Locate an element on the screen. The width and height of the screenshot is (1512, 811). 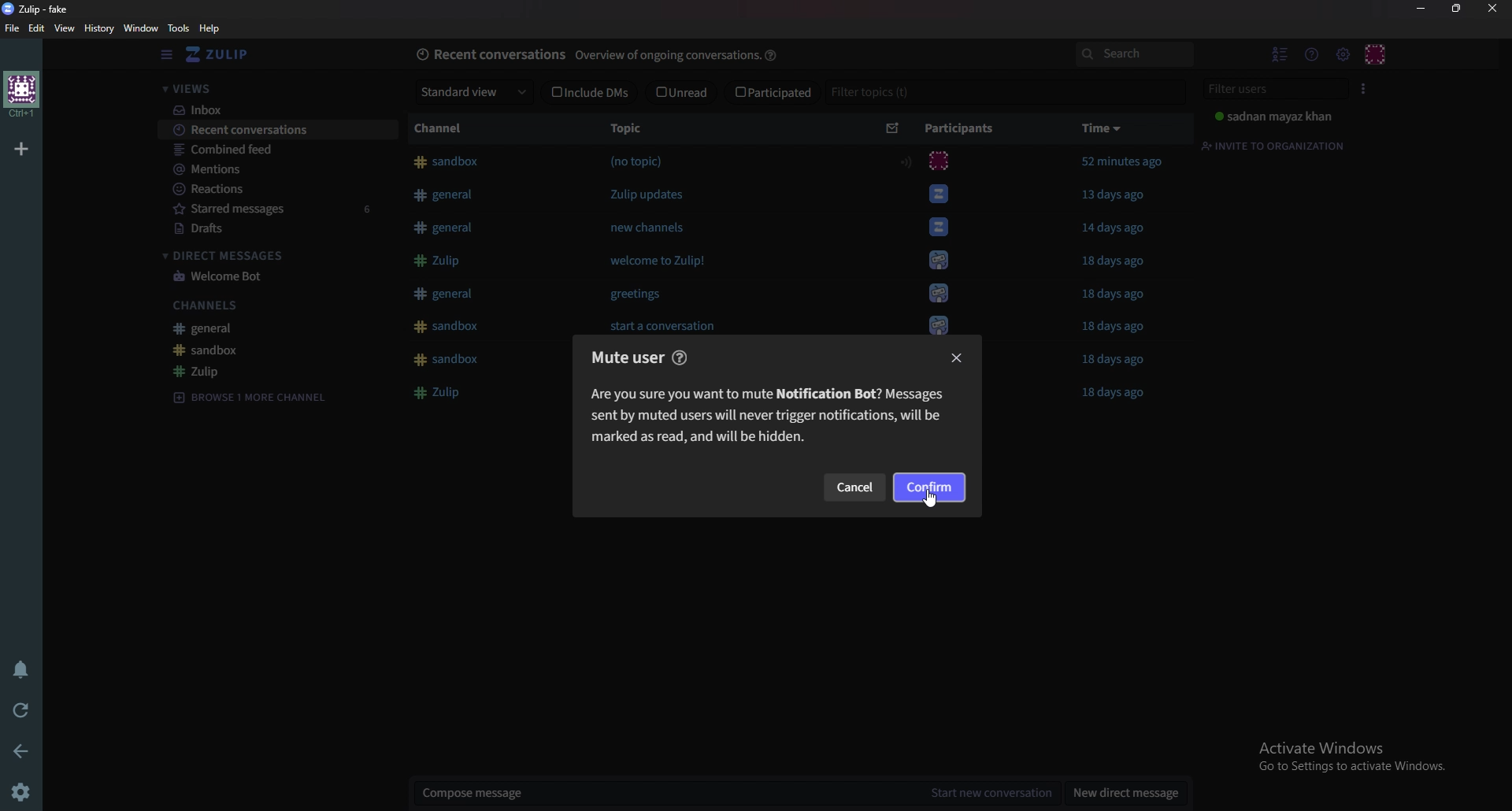
Sandbox is located at coordinates (262, 350).